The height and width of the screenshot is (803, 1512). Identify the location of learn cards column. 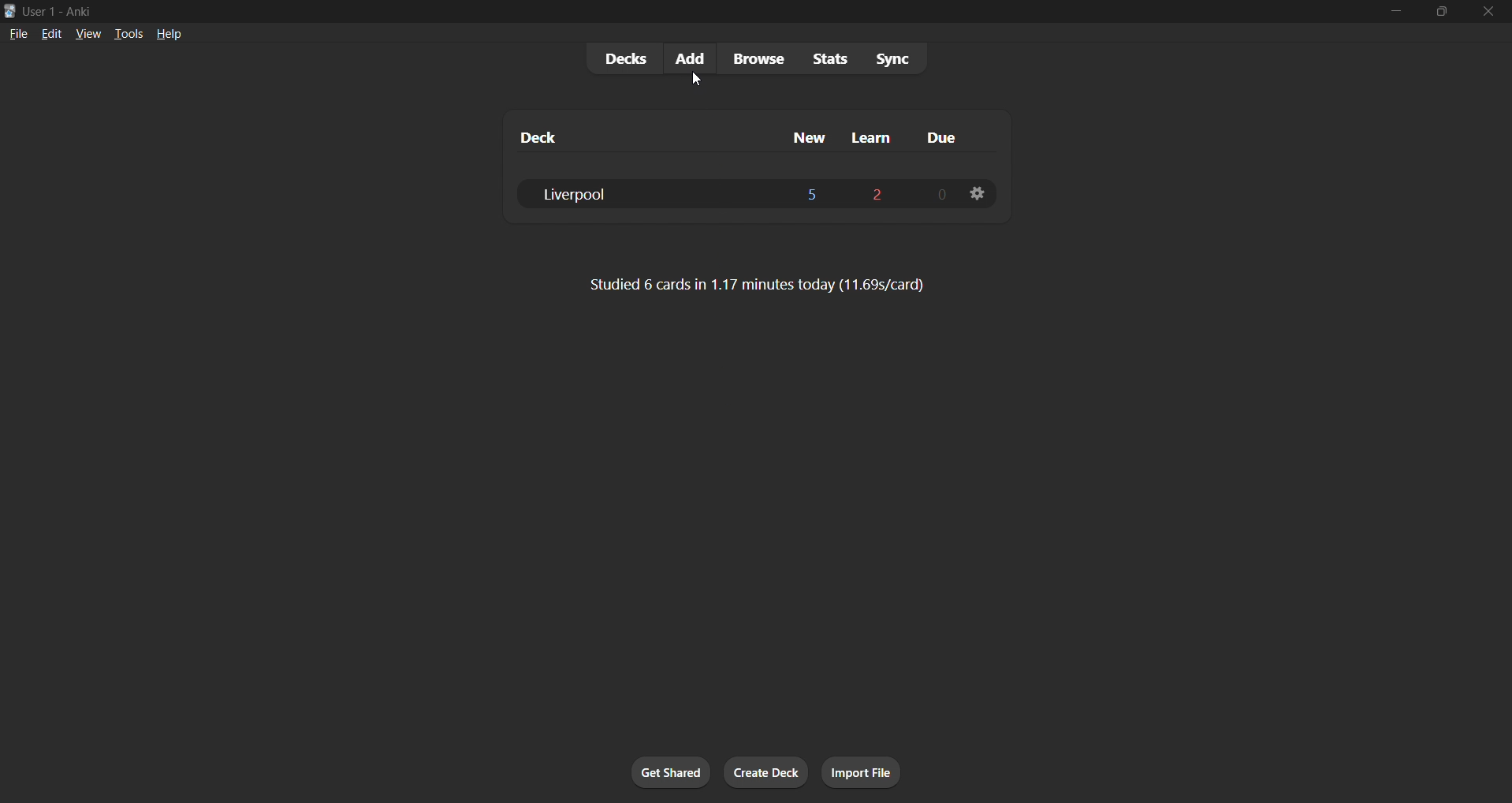
(870, 135).